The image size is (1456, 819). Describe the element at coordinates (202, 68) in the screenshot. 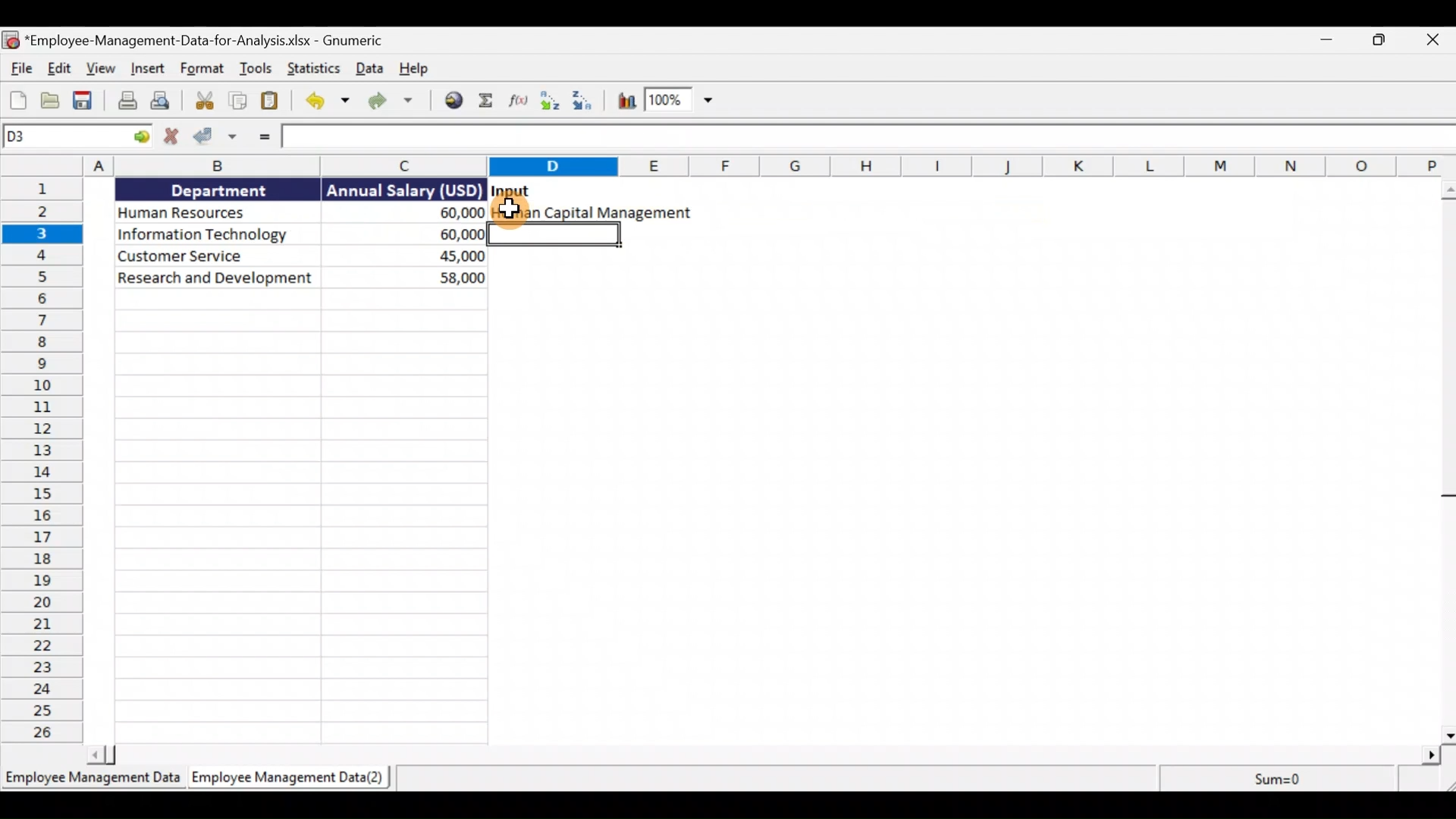

I see `Format` at that location.